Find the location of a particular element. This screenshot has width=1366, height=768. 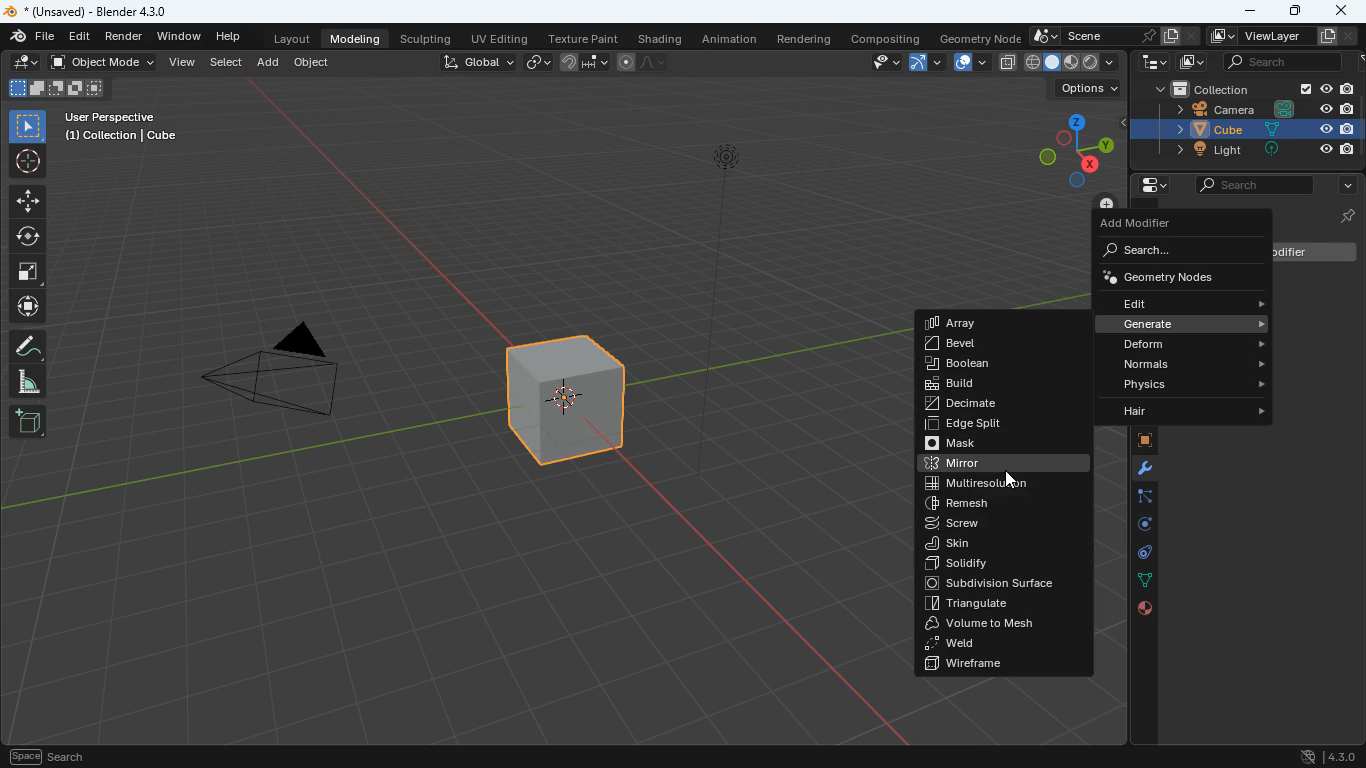

decimate is located at coordinates (1001, 403).